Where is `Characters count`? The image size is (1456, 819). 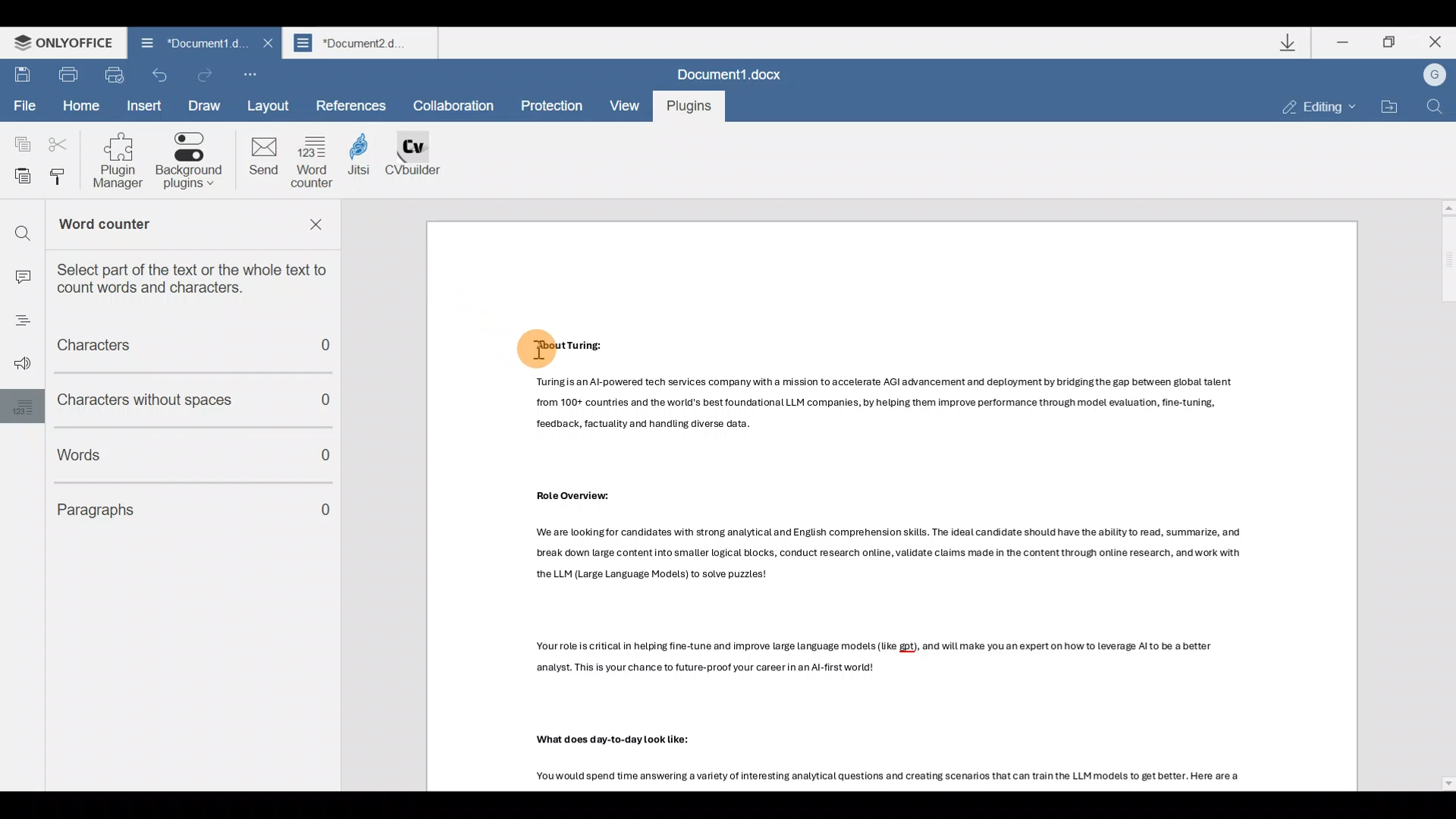 Characters count is located at coordinates (183, 347).